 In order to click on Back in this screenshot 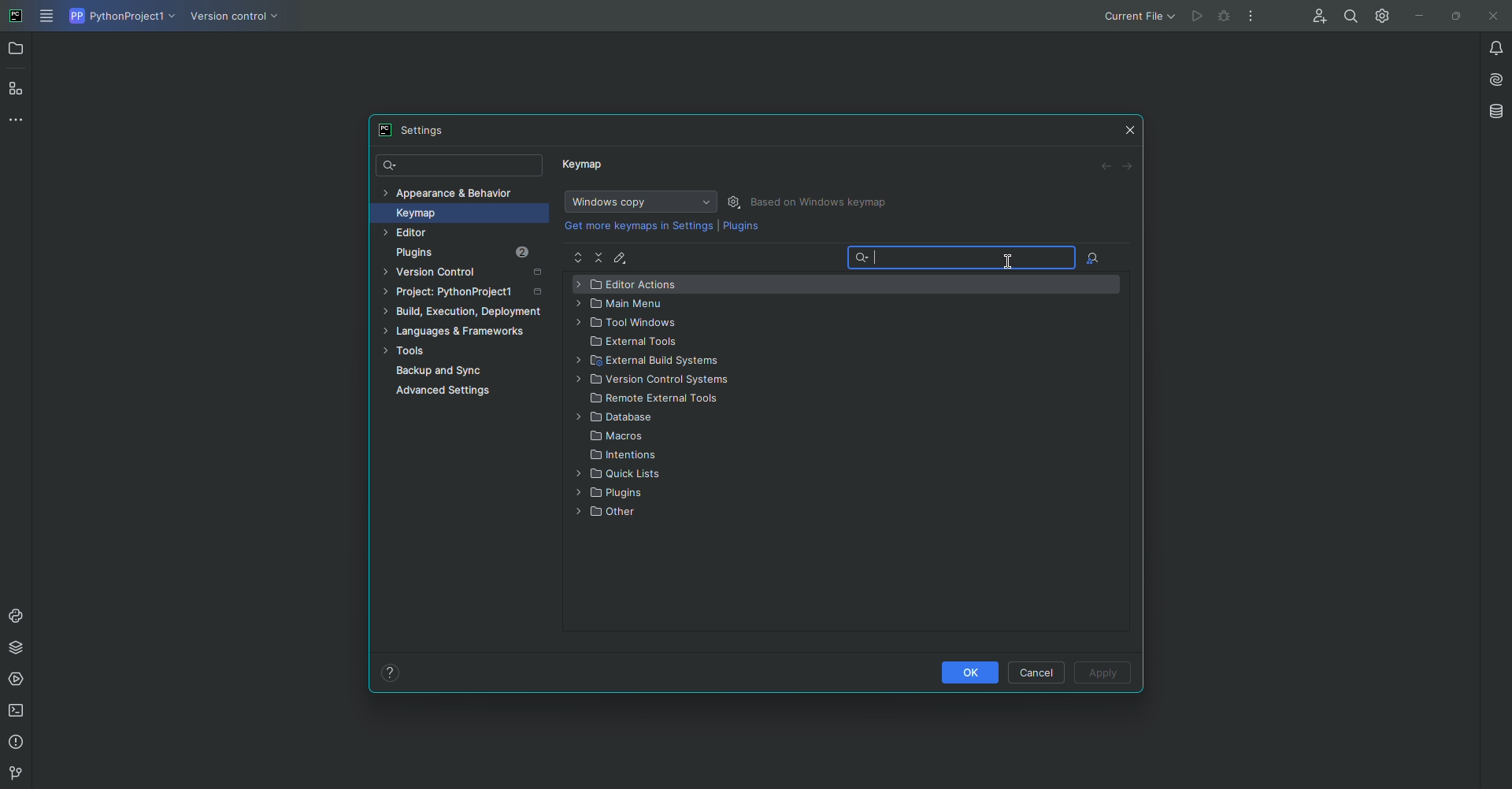, I will do `click(1106, 167)`.